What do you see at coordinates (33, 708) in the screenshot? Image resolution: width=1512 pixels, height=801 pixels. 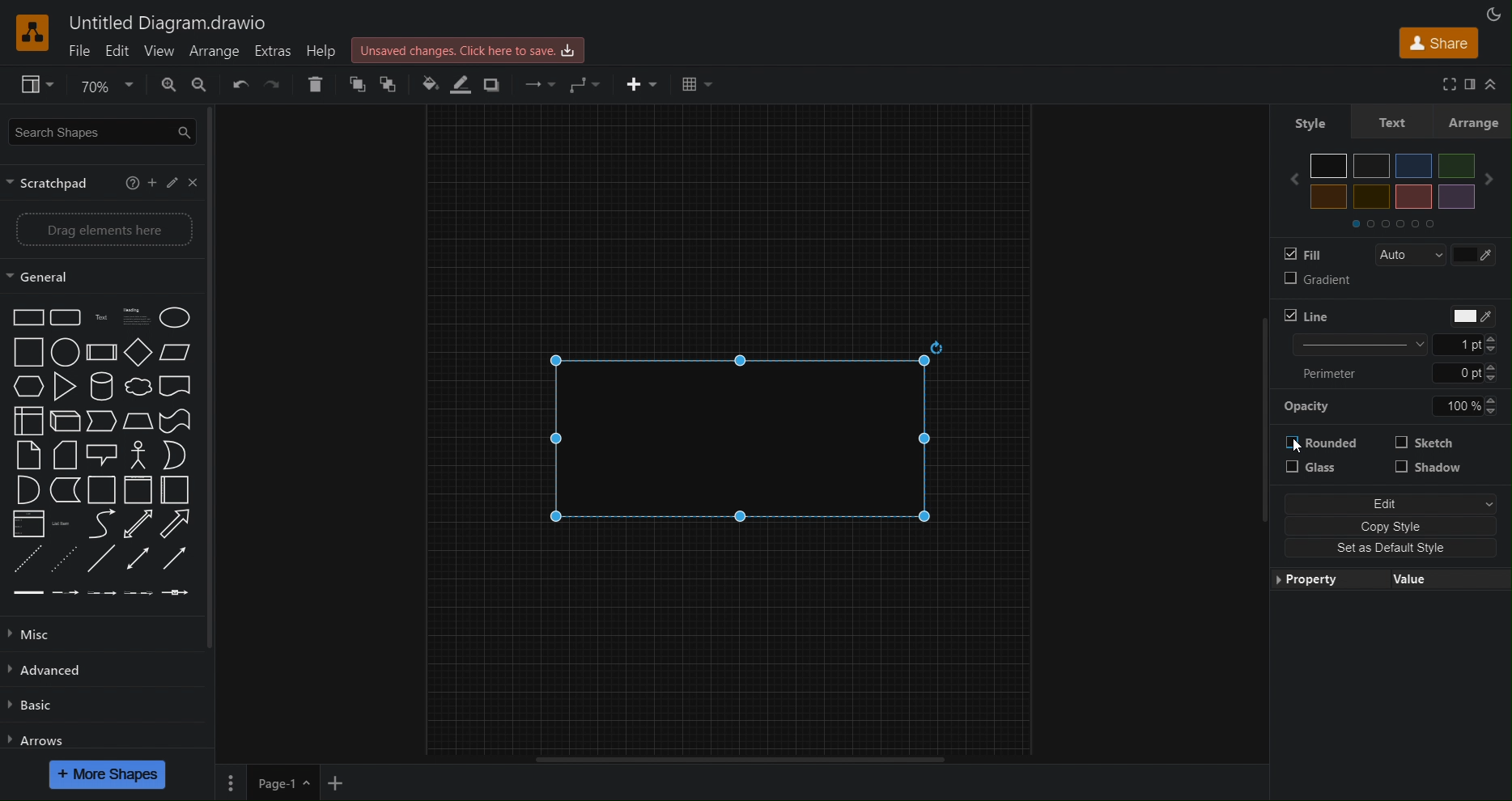 I see `Basic` at bounding box center [33, 708].